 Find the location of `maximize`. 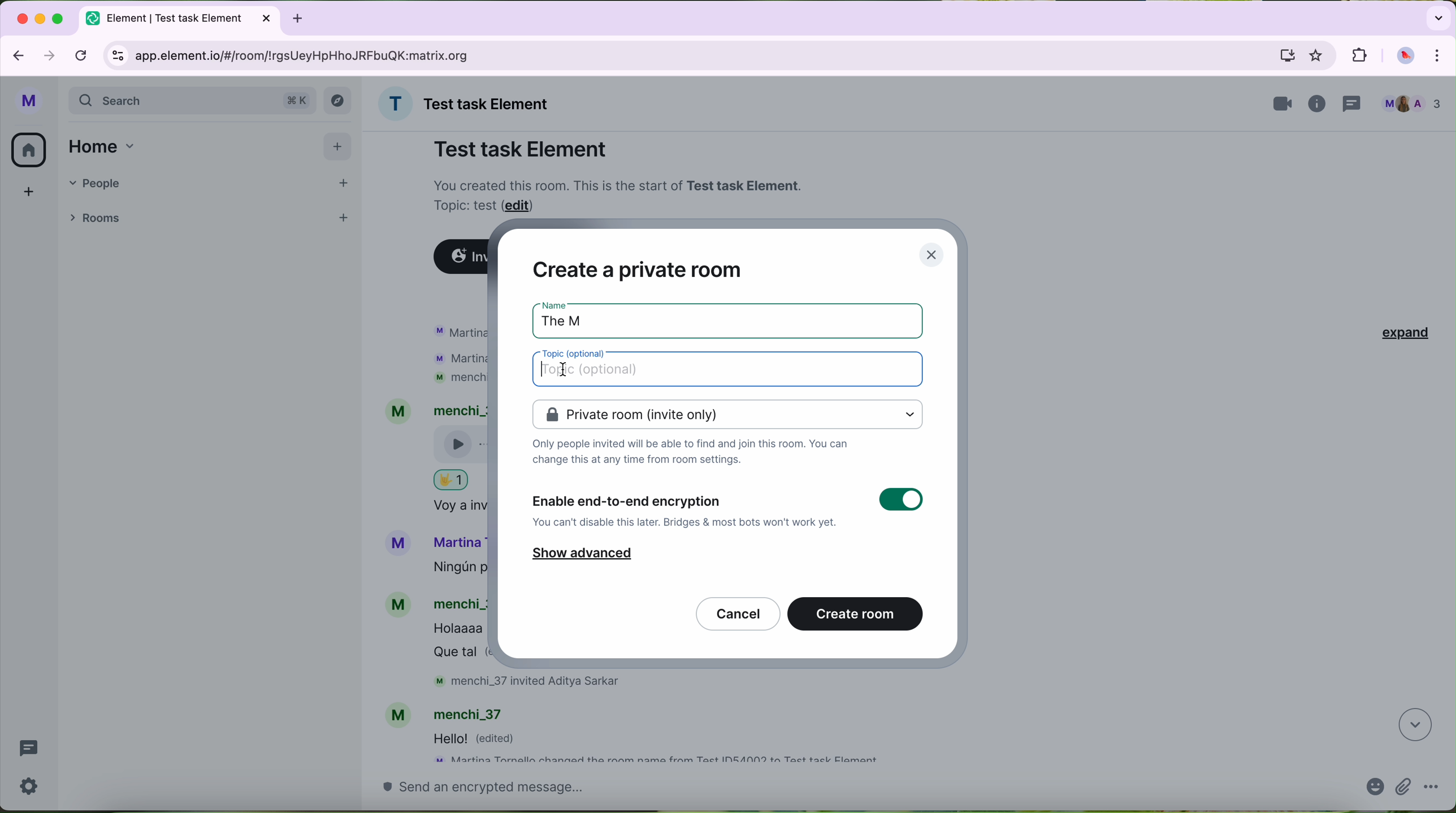

maximize is located at coordinates (59, 18).